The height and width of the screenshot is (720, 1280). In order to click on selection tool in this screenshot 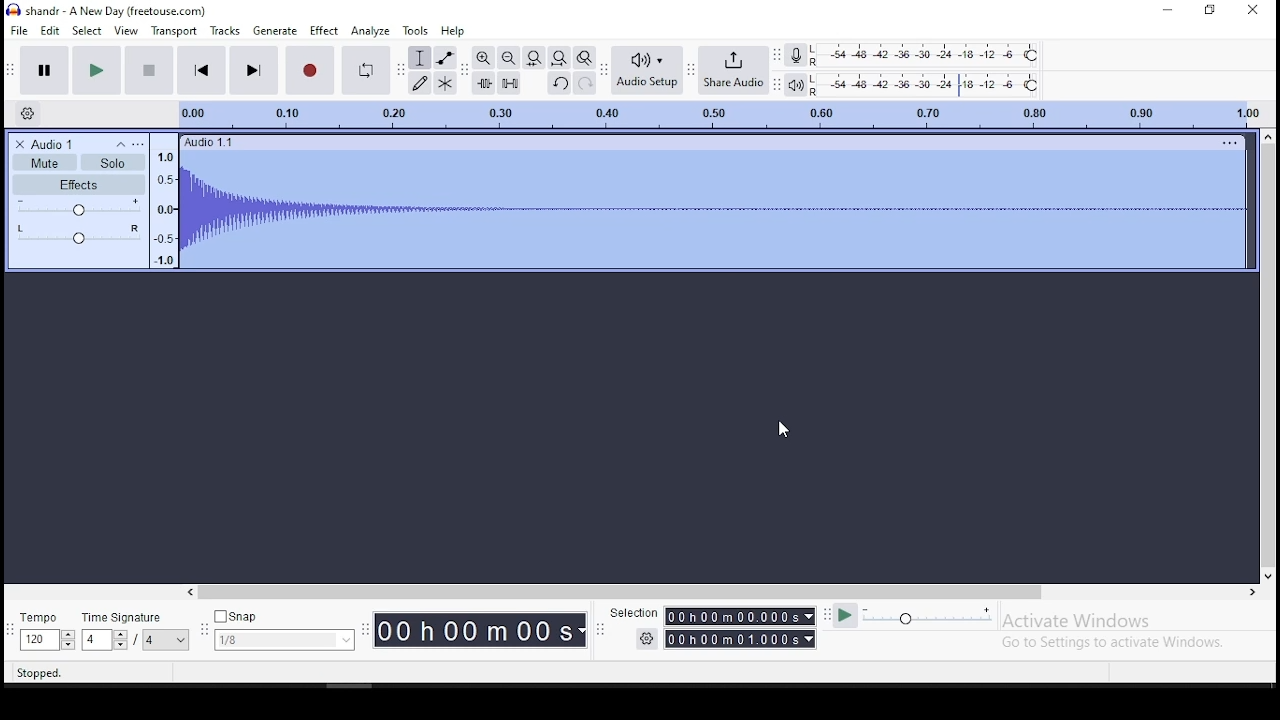, I will do `click(419, 57)`.